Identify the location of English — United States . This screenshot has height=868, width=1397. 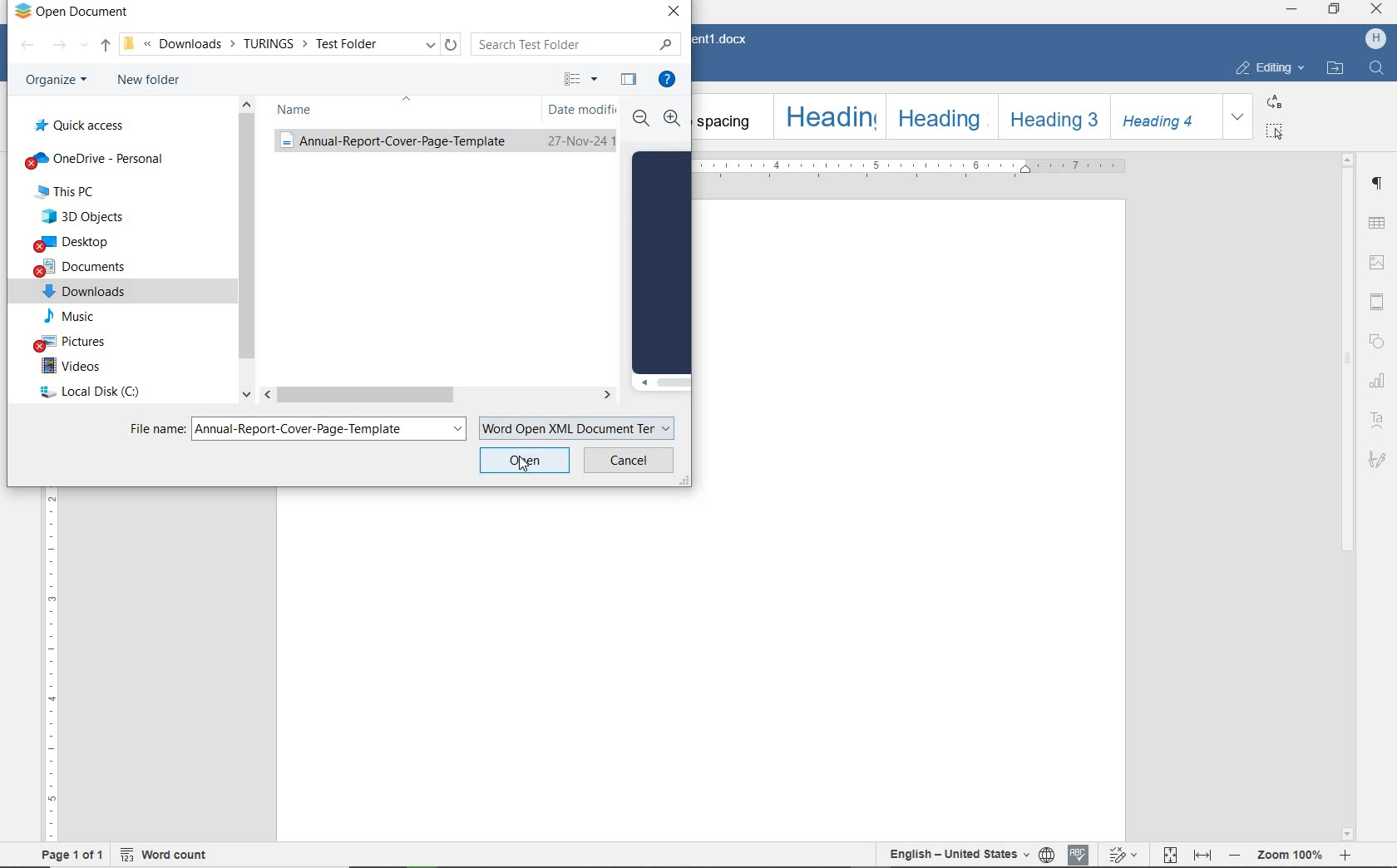
(955, 855).